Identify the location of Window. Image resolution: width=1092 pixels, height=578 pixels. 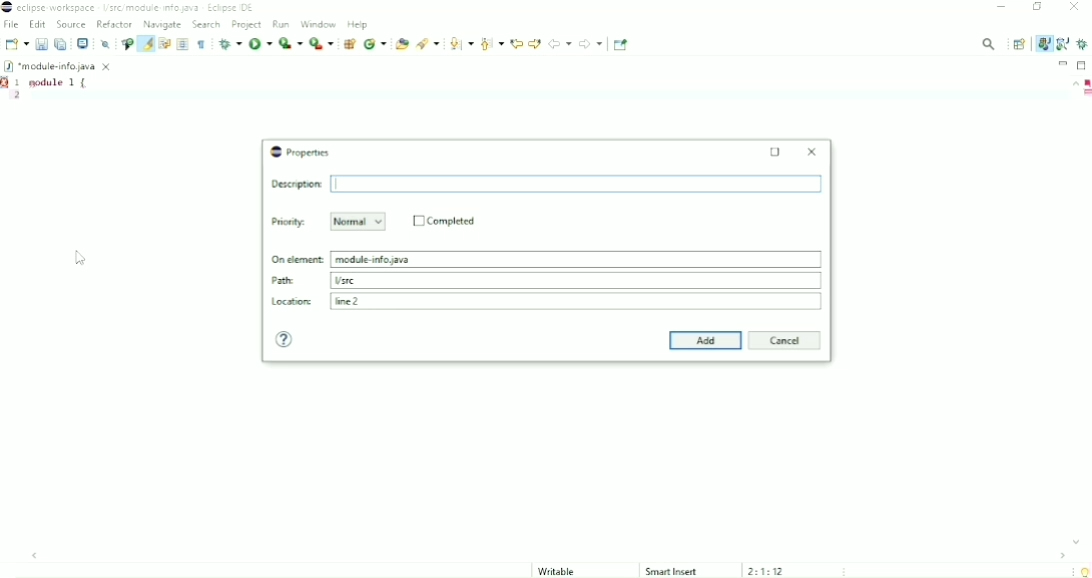
(319, 23).